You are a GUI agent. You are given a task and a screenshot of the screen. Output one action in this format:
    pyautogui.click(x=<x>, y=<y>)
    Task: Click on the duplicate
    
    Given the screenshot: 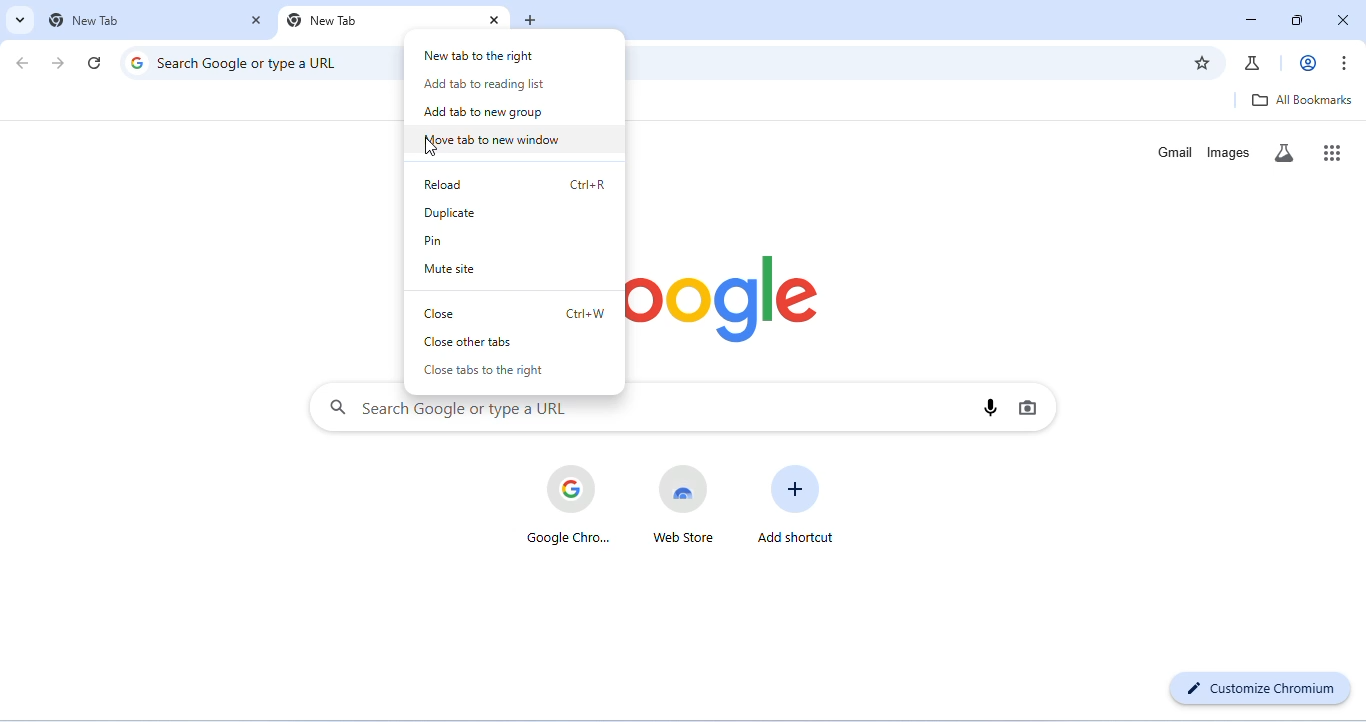 What is the action you would take?
    pyautogui.click(x=493, y=212)
    